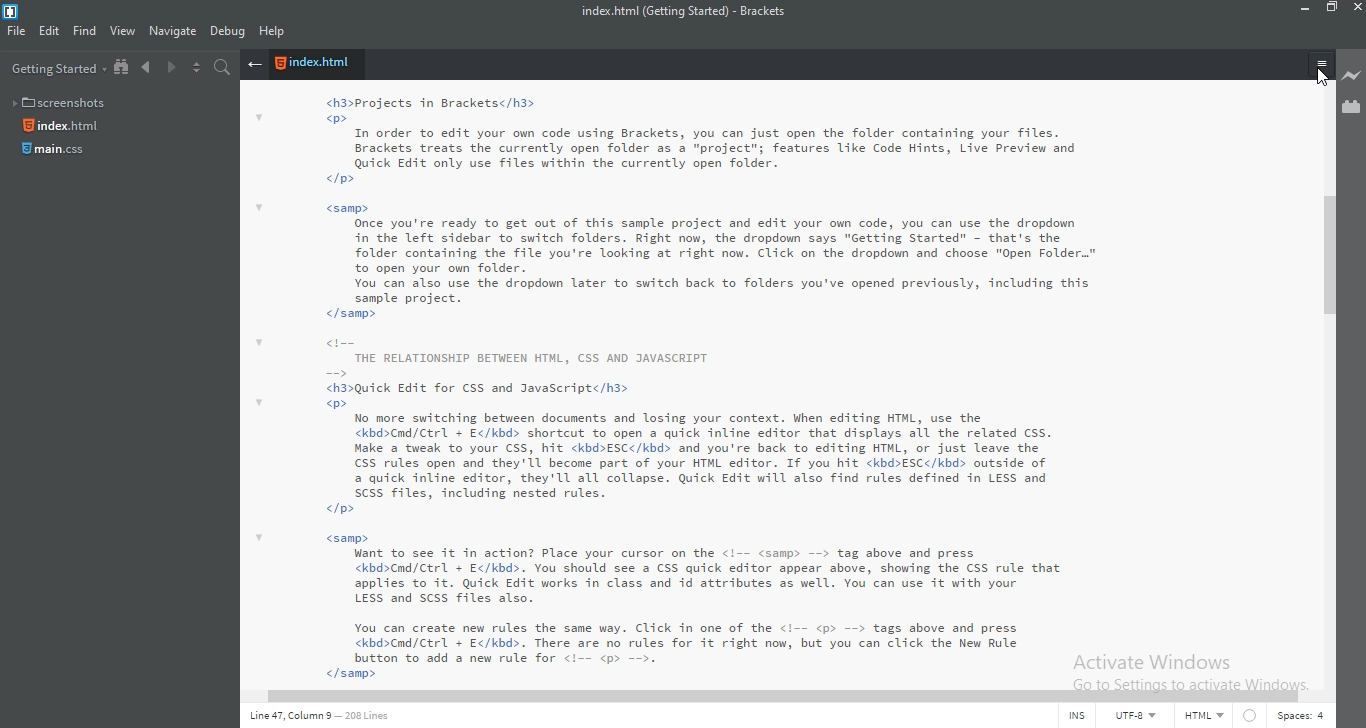  Describe the element at coordinates (84, 33) in the screenshot. I see `Find` at that location.